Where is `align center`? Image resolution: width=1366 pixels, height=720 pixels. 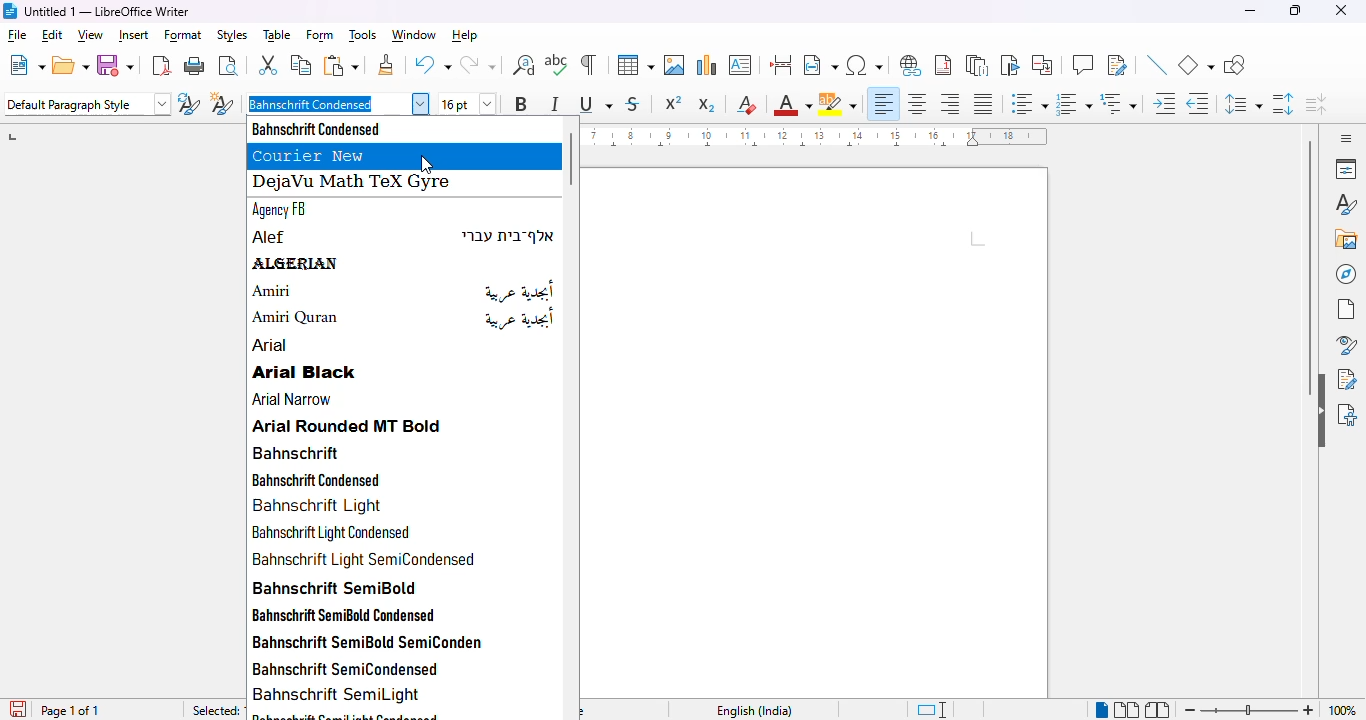 align center is located at coordinates (917, 103).